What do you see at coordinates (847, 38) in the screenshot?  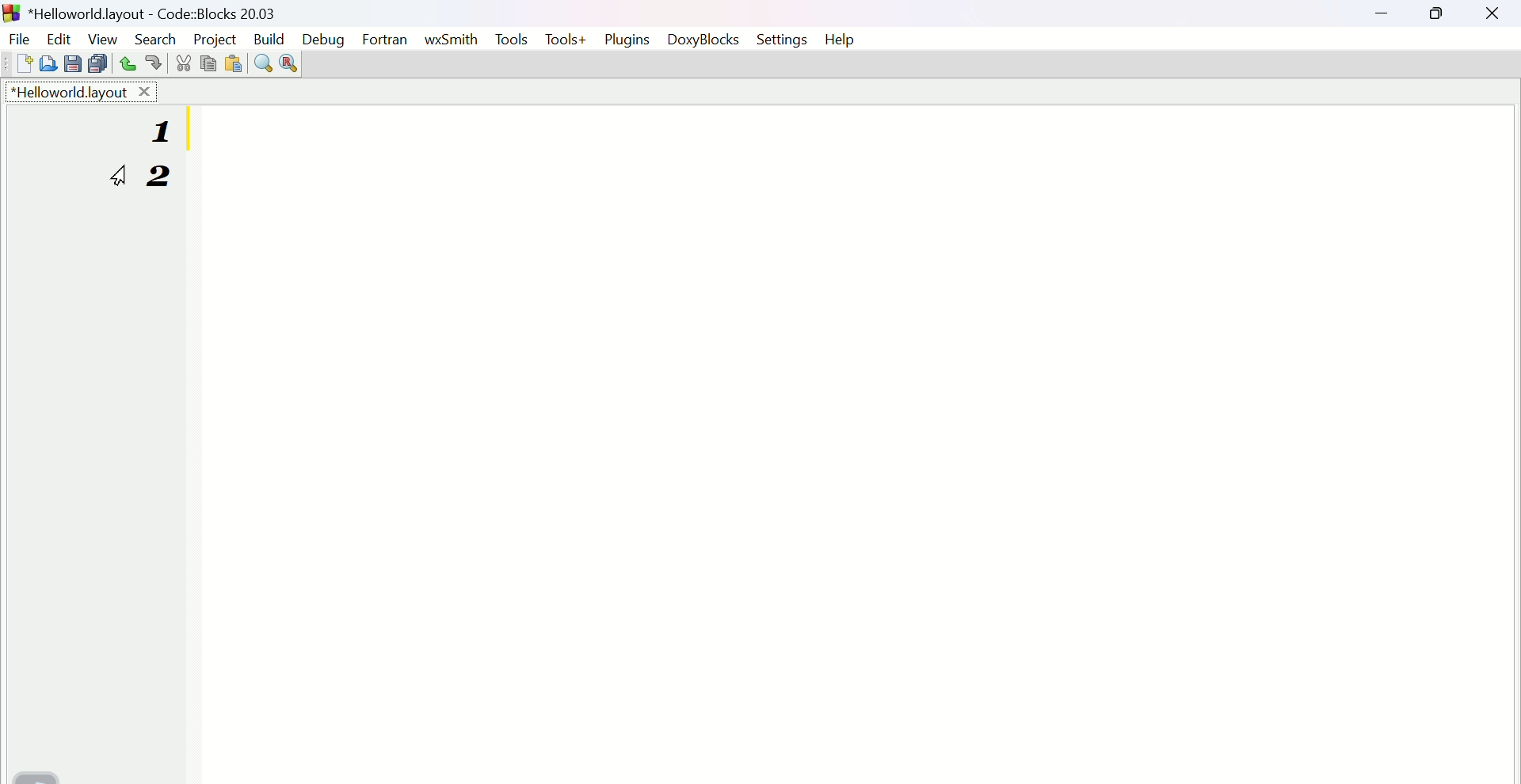 I see `Help` at bounding box center [847, 38].